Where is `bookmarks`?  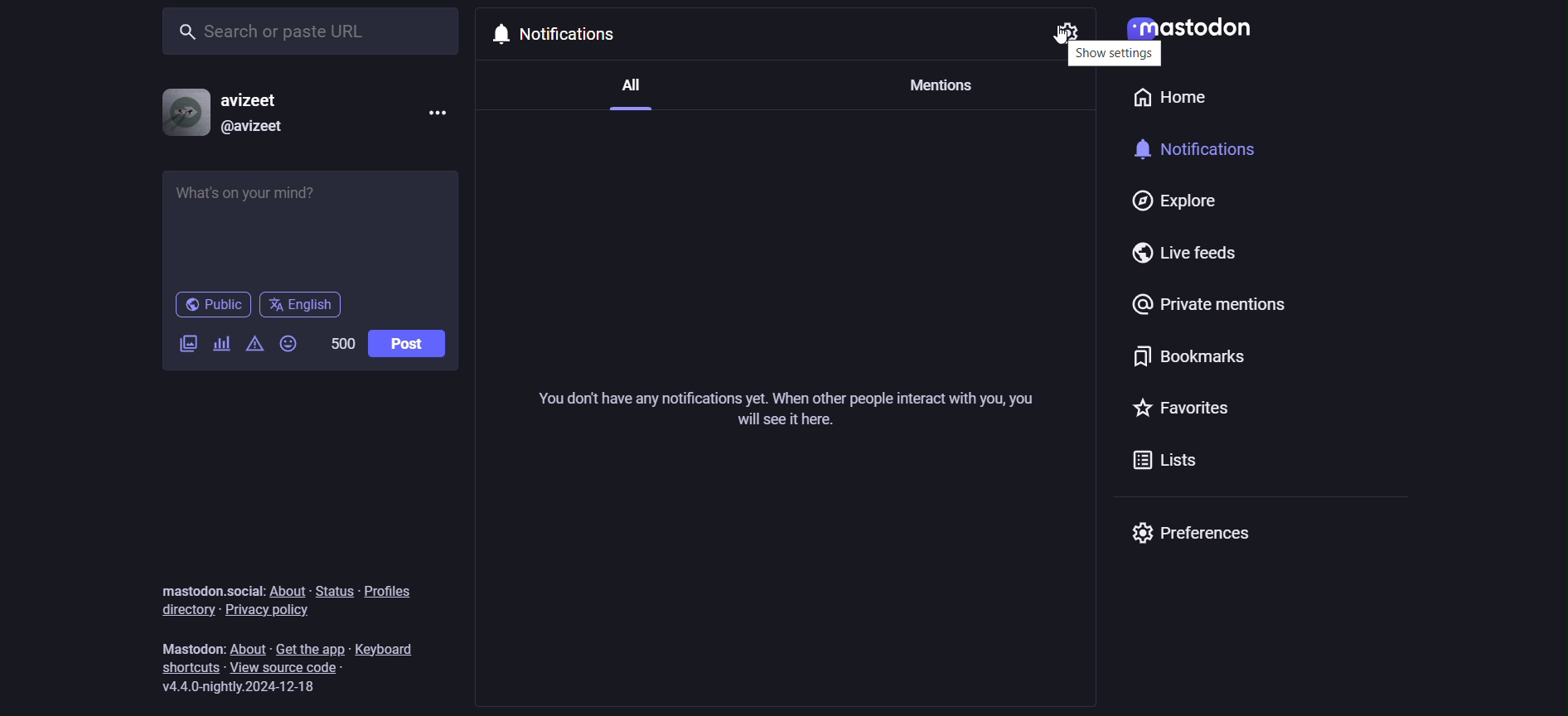 bookmarks is located at coordinates (1184, 361).